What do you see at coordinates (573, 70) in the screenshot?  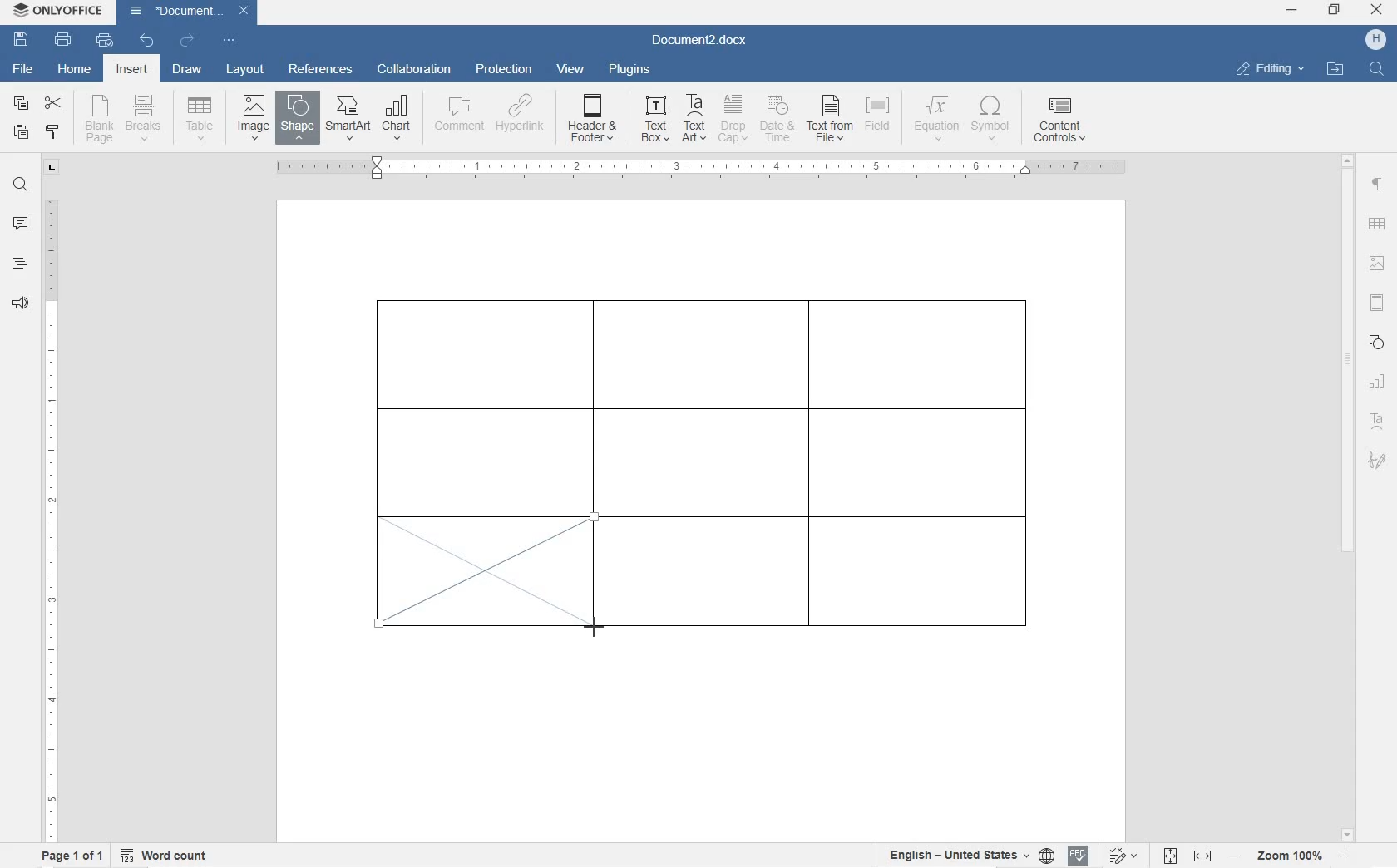 I see `view` at bounding box center [573, 70].